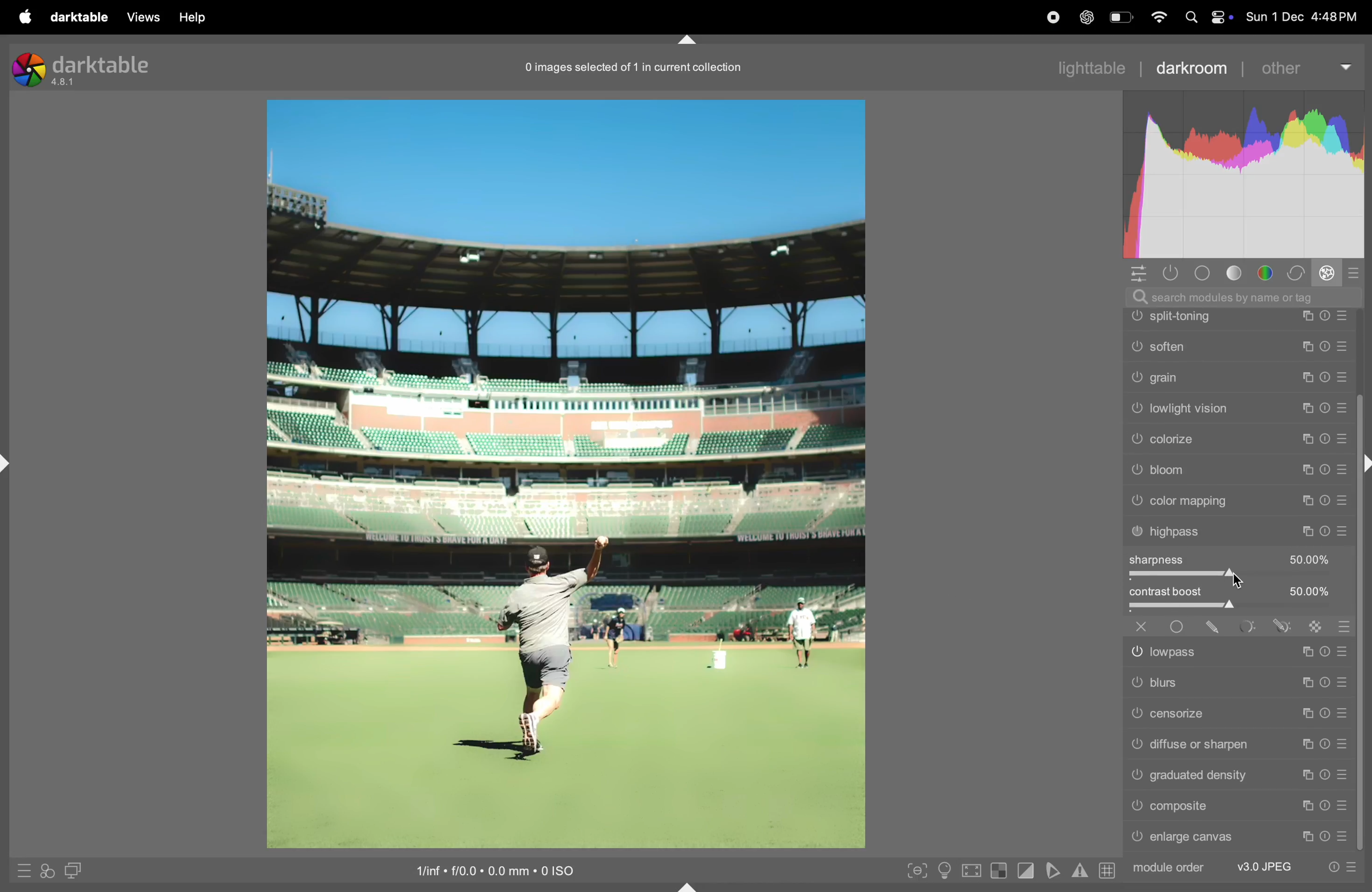 The height and width of the screenshot is (892, 1372). I want to click on vignetting, so click(1238, 376).